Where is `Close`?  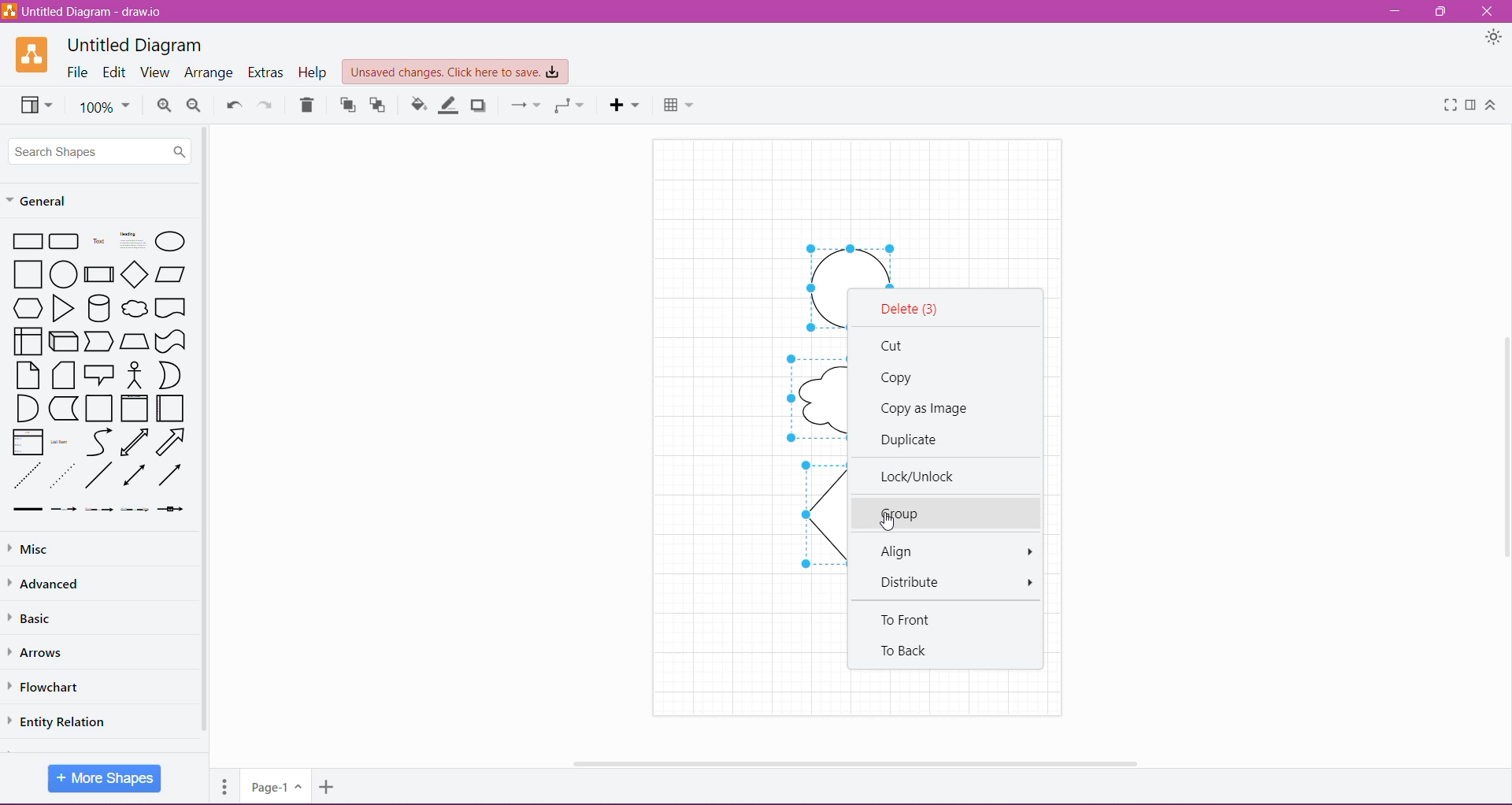 Close is located at coordinates (1487, 12).